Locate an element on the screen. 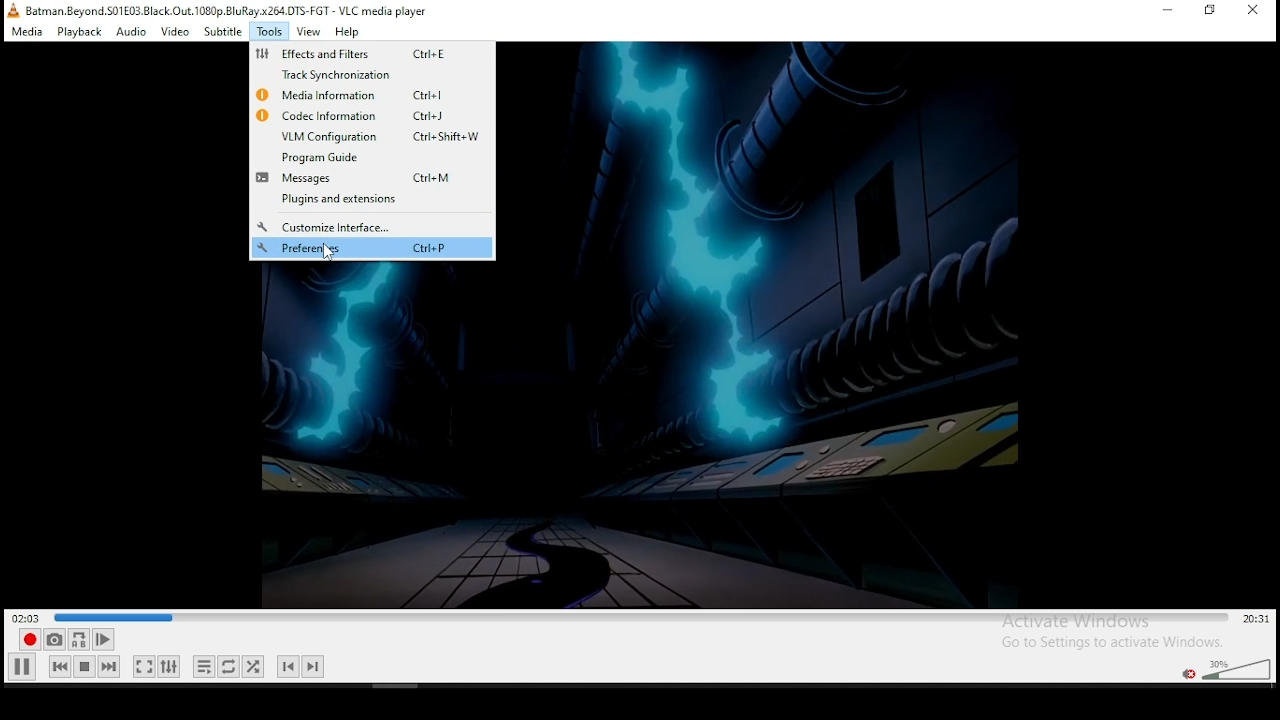  tools is located at coordinates (270, 31).